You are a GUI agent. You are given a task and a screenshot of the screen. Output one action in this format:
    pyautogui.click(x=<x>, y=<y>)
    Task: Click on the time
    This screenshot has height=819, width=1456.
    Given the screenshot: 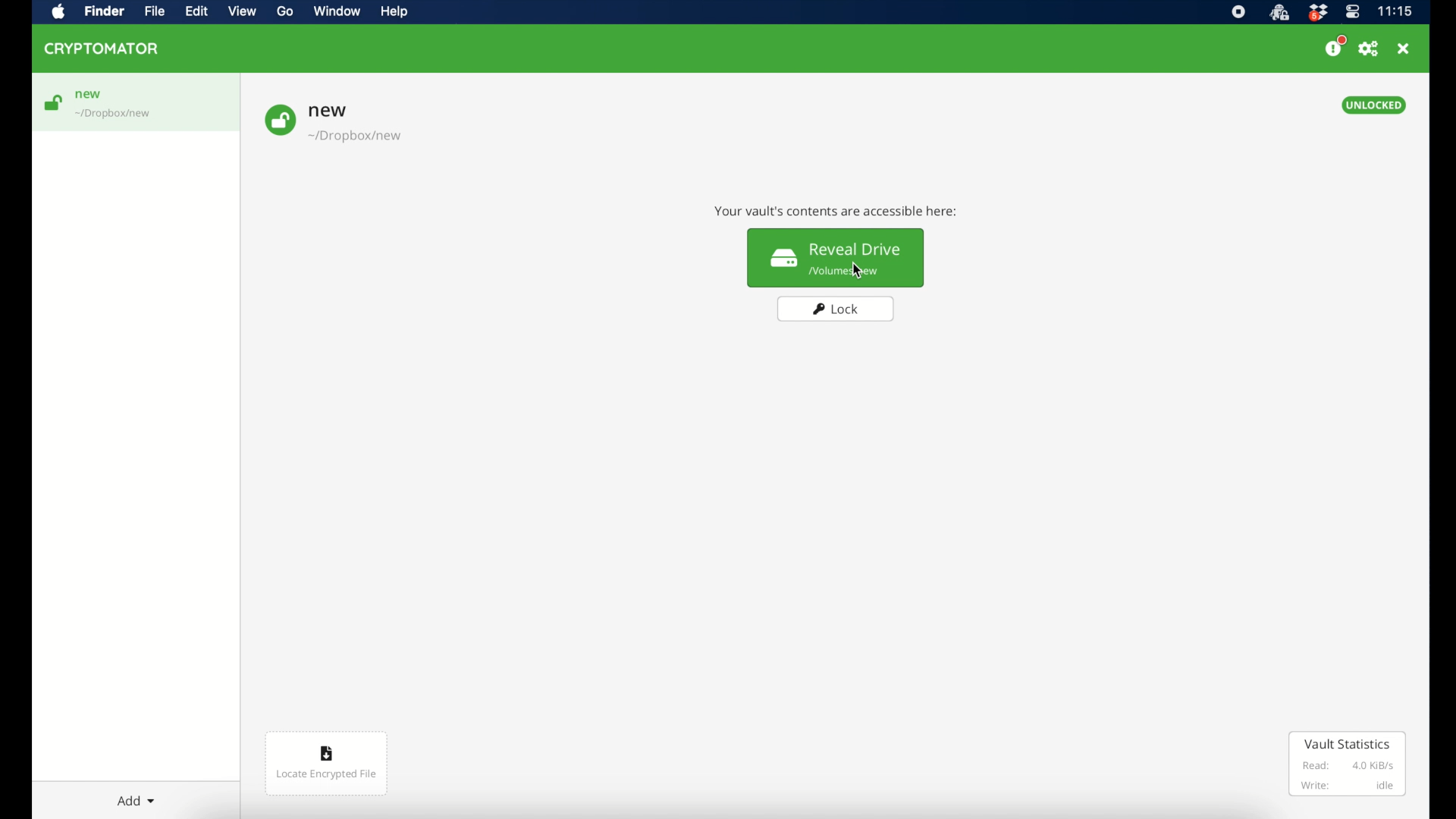 What is the action you would take?
    pyautogui.click(x=1395, y=11)
    